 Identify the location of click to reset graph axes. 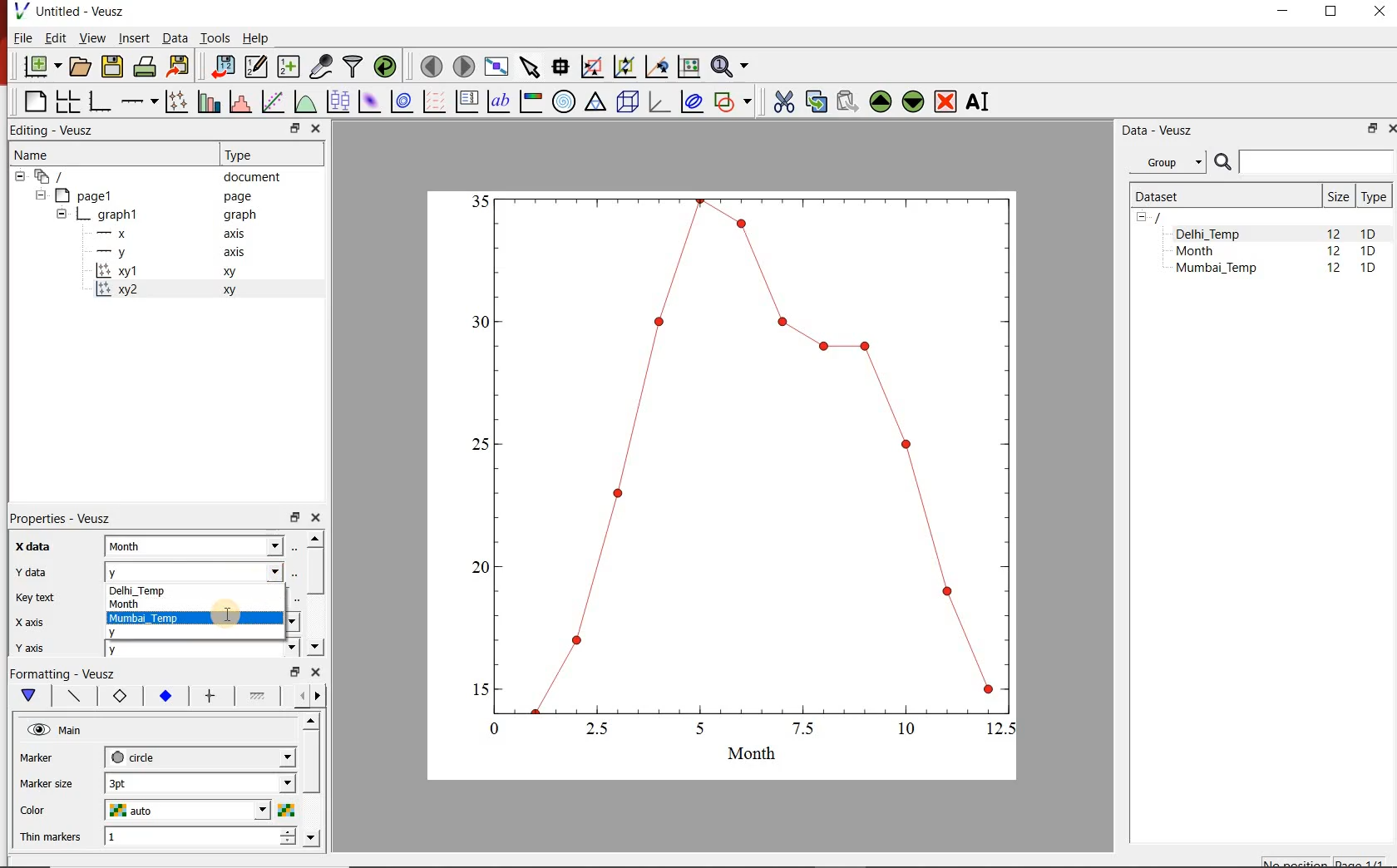
(689, 67).